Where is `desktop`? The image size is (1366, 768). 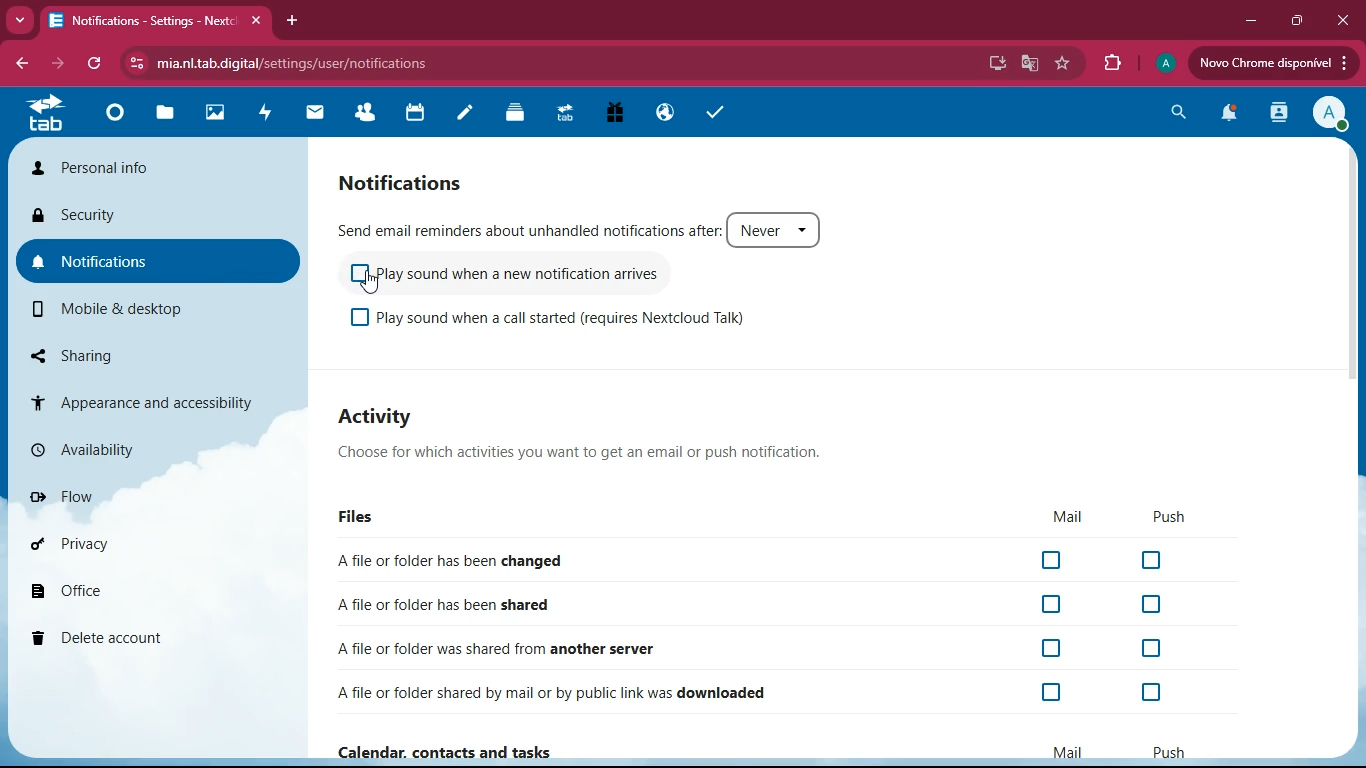
desktop is located at coordinates (992, 64).